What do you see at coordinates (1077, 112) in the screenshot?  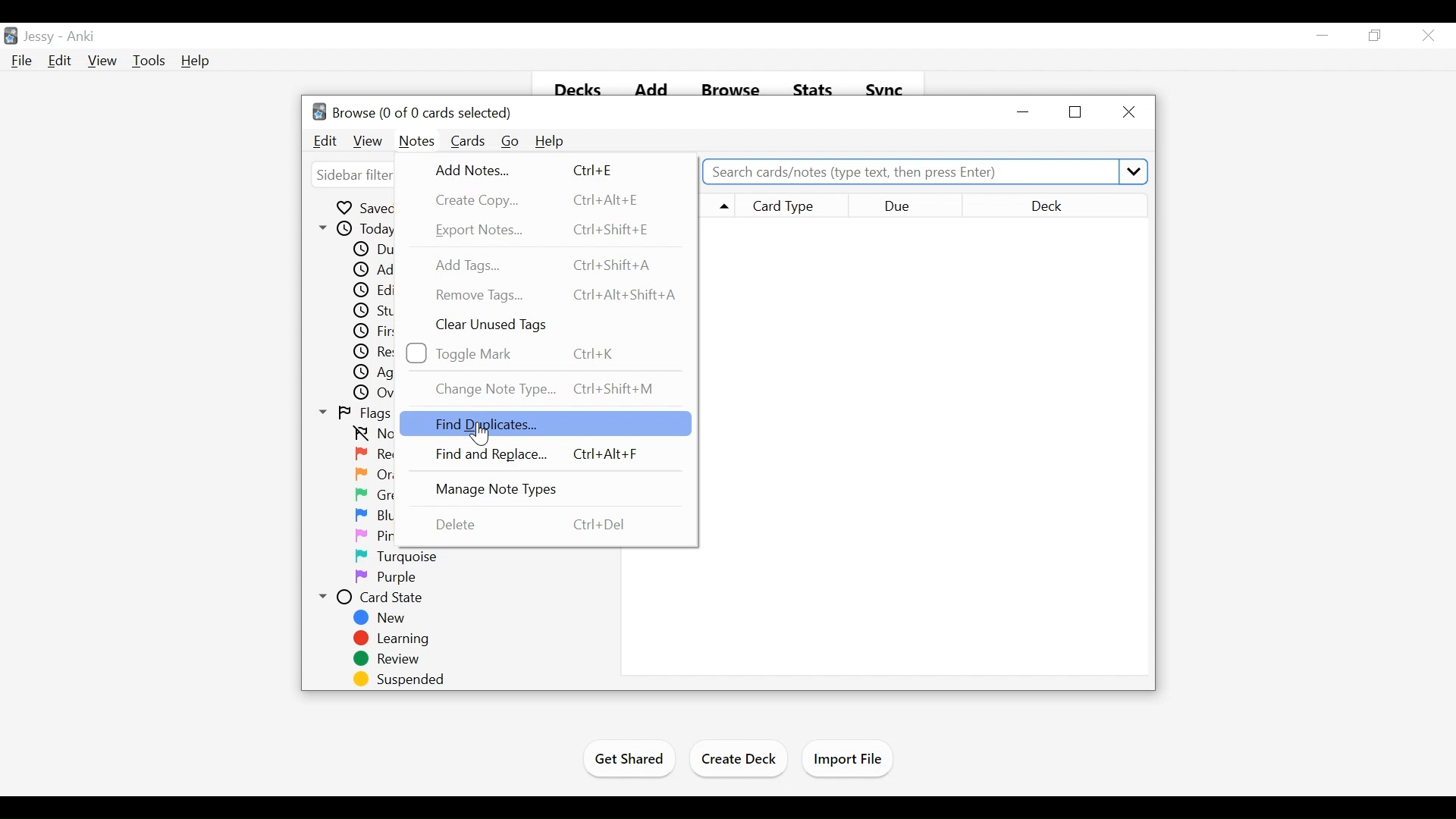 I see `Restore` at bounding box center [1077, 112].